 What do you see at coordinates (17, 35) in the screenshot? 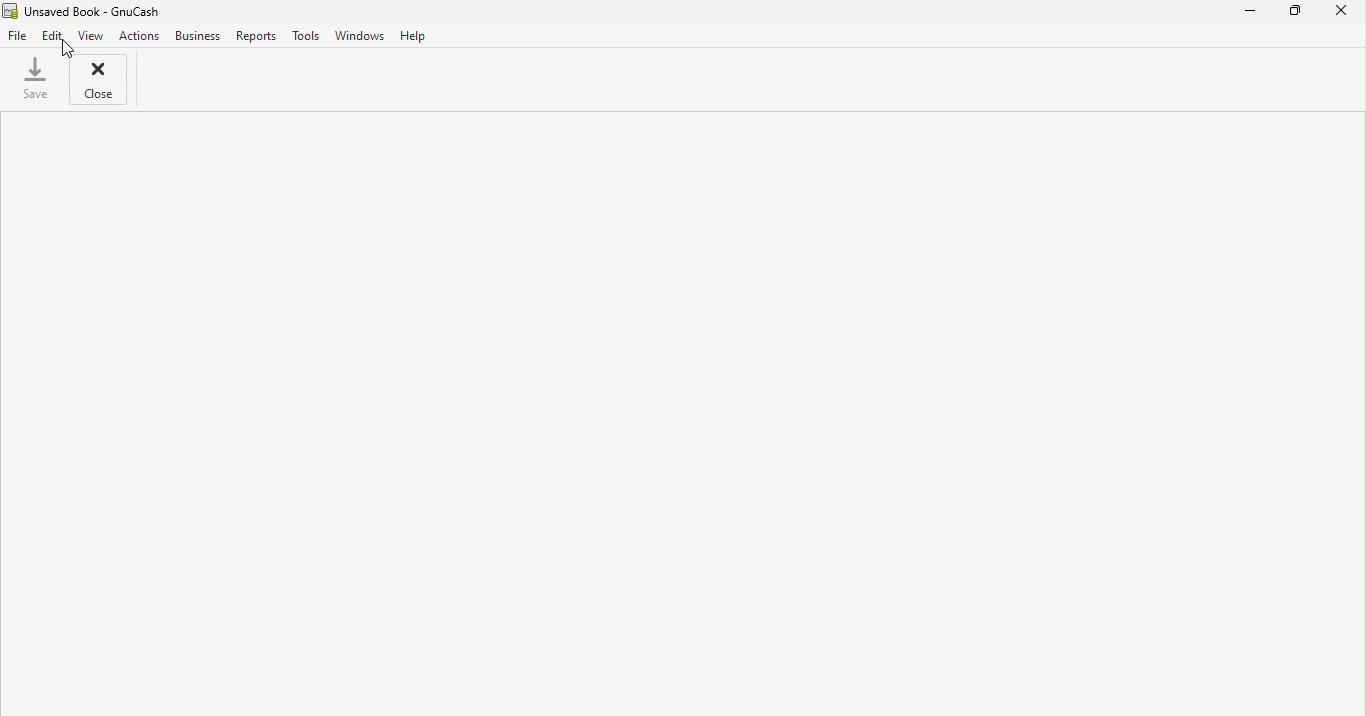
I see `File` at bounding box center [17, 35].